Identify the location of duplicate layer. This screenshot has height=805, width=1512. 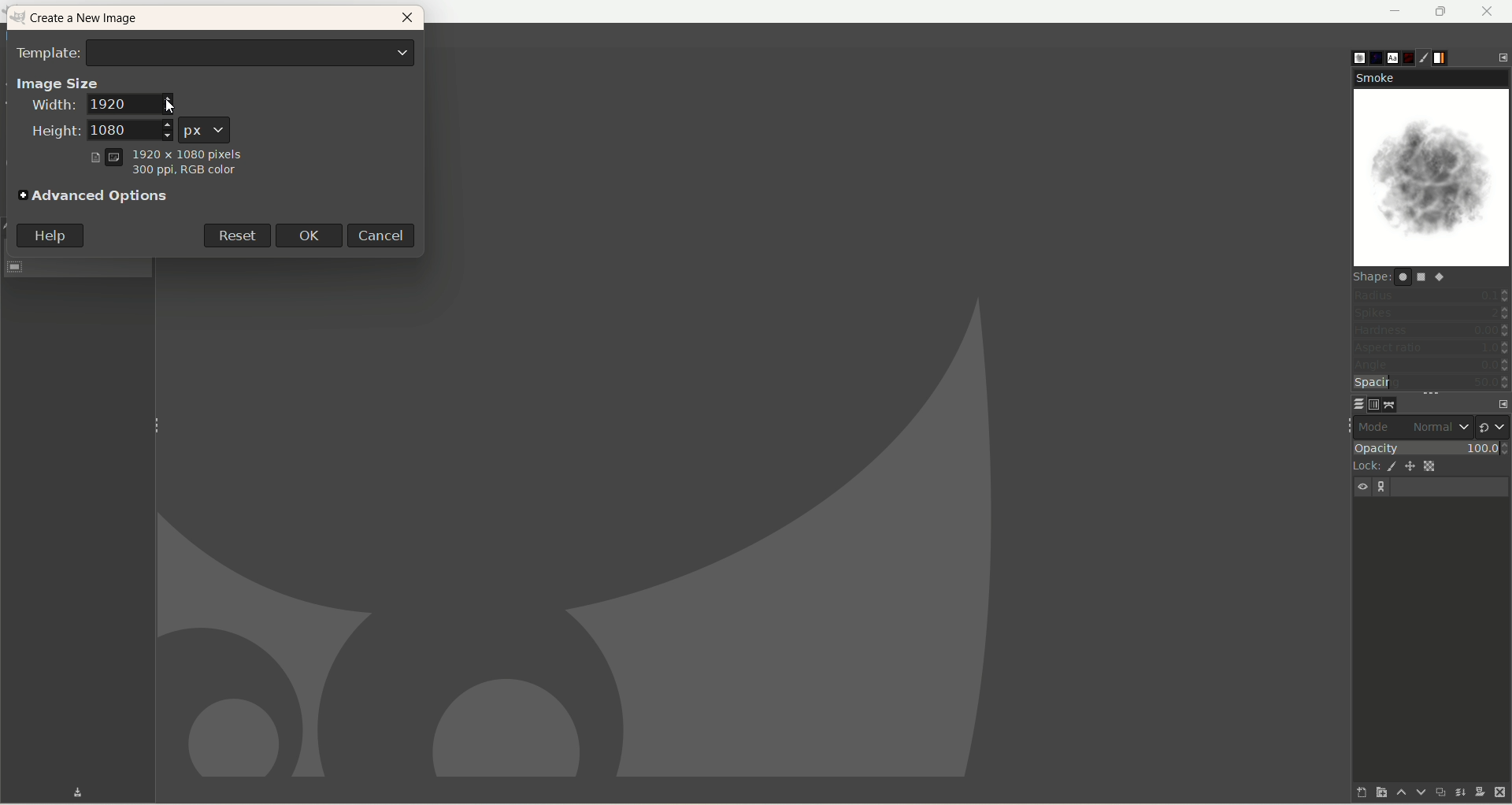
(1437, 792).